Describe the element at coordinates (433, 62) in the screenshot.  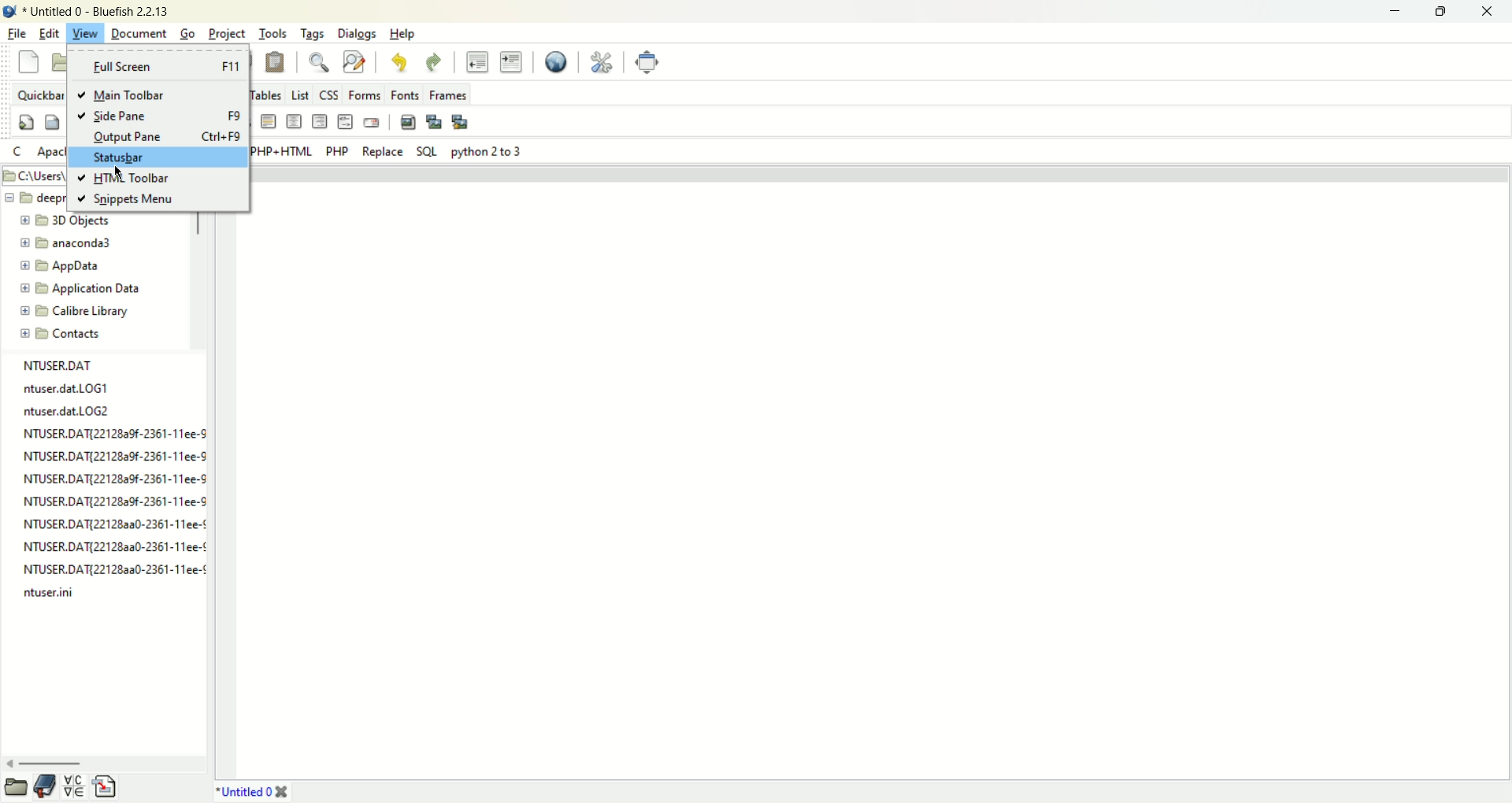
I see `redo` at that location.